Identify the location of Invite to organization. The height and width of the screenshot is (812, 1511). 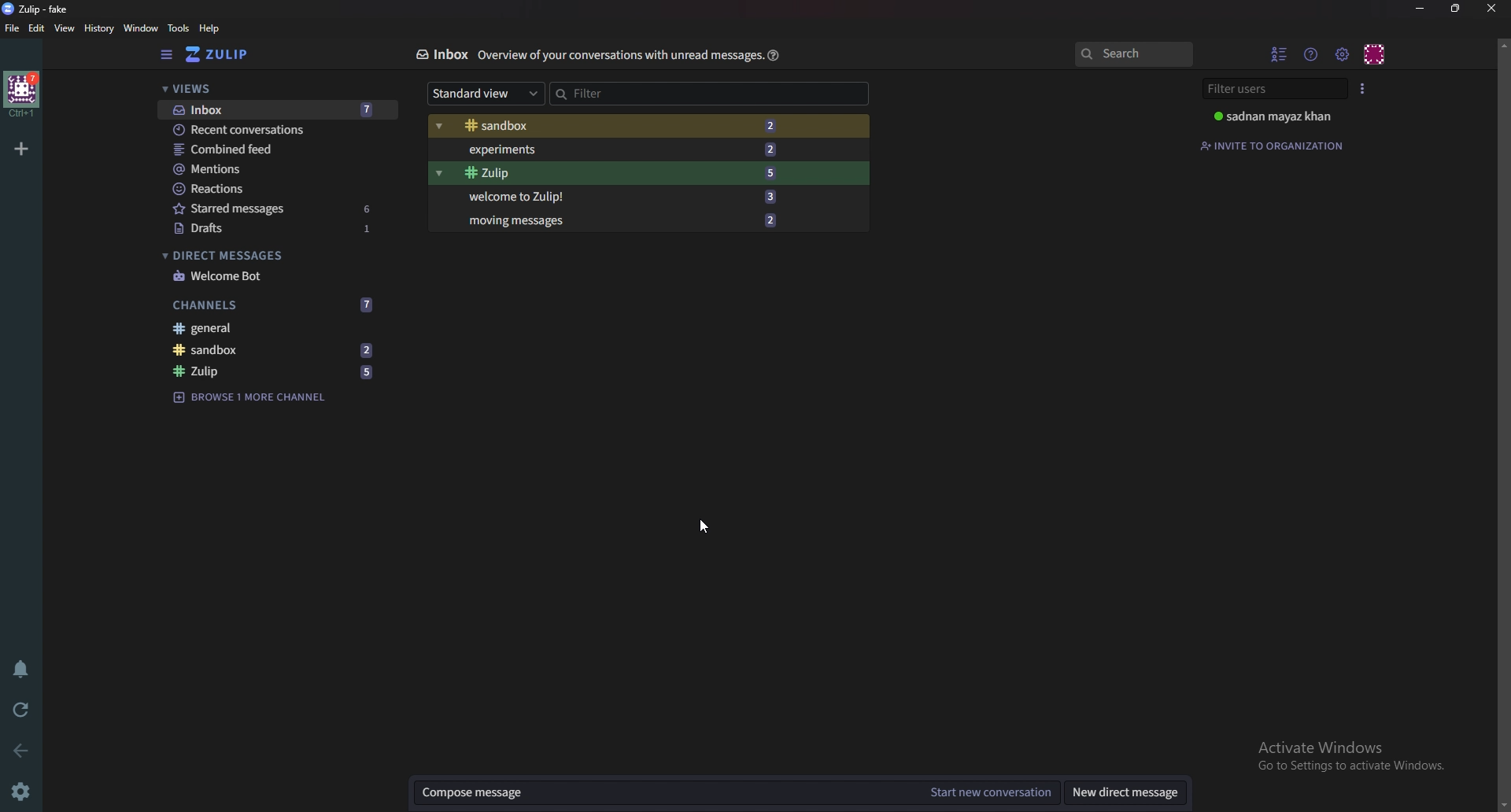
(1280, 146).